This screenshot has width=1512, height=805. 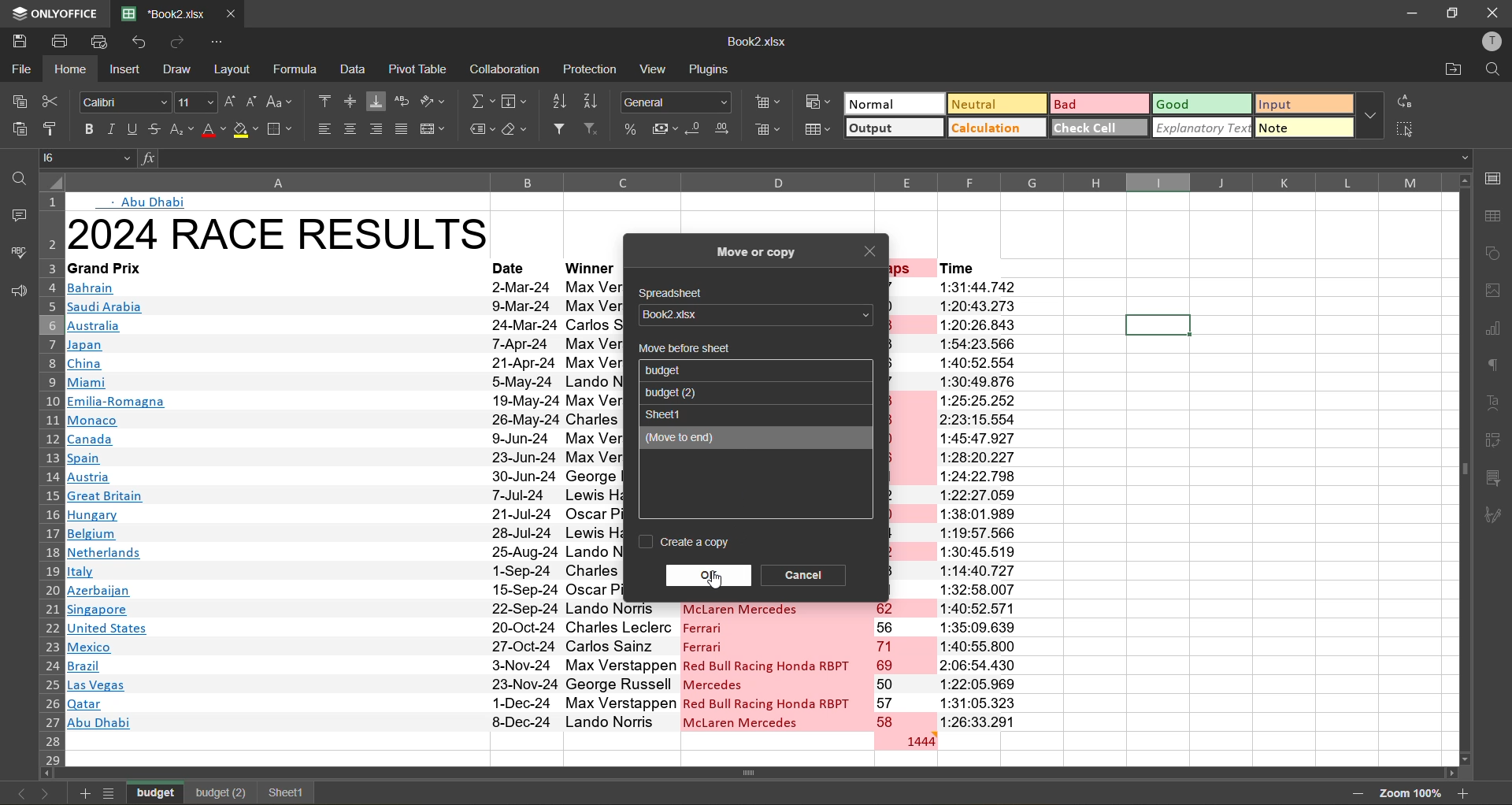 I want to click on time, so click(x=980, y=504).